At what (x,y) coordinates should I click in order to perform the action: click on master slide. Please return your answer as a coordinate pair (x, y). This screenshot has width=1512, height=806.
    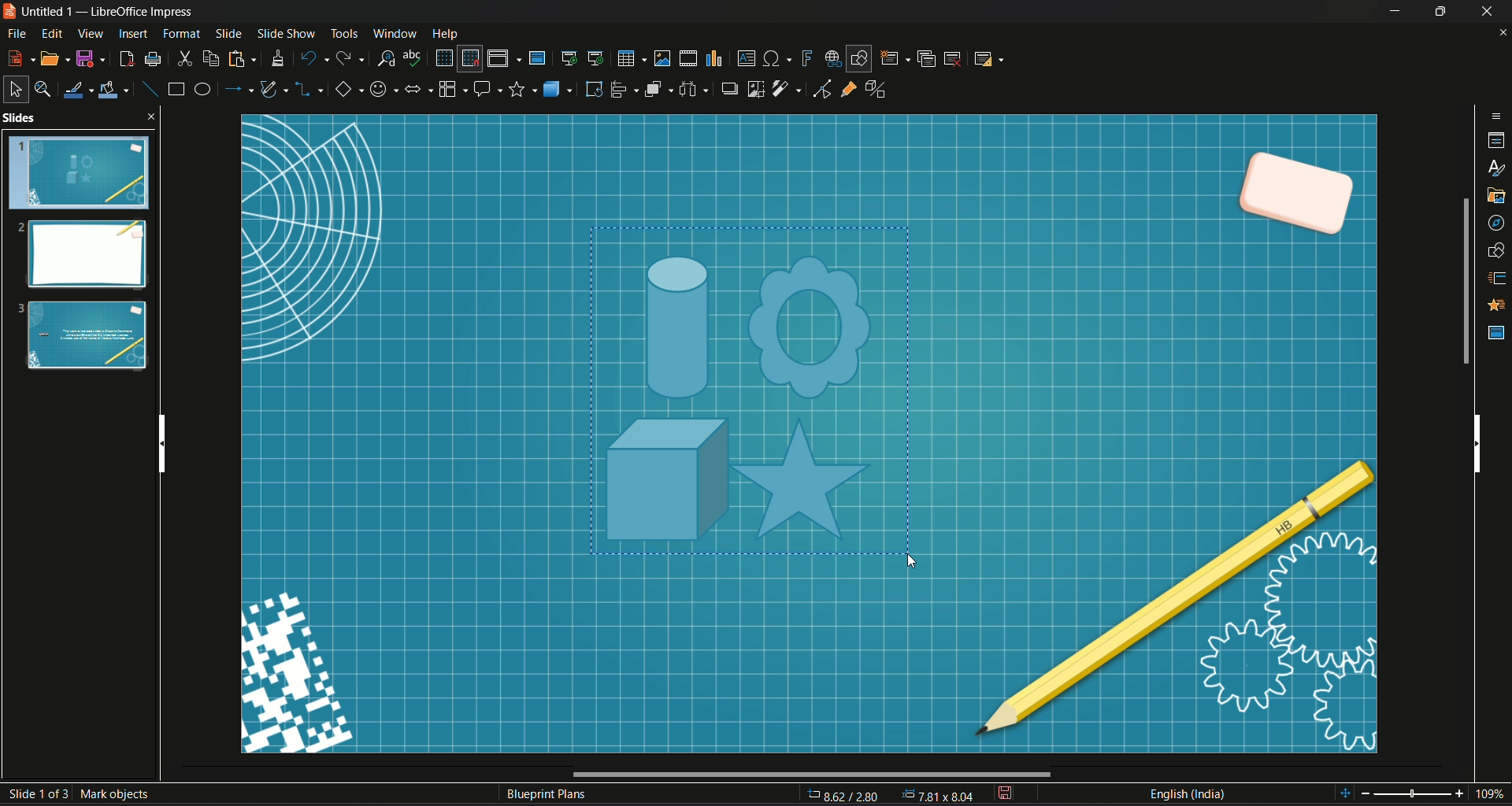
    Looking at the image, I should click on (1497, 333).